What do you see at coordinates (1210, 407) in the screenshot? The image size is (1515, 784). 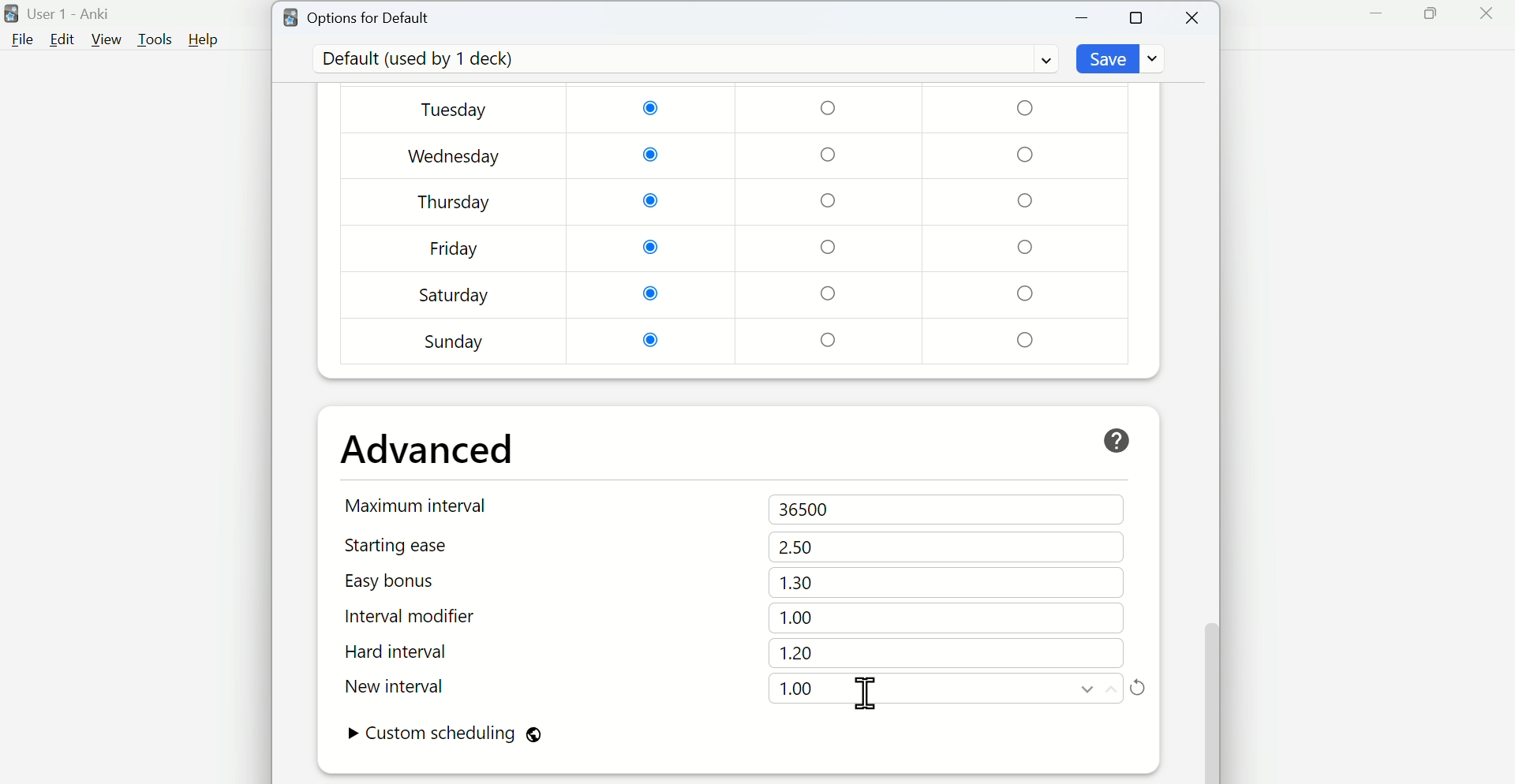 I see `Vertical scroll bar` at bounding box center [1210, 407].